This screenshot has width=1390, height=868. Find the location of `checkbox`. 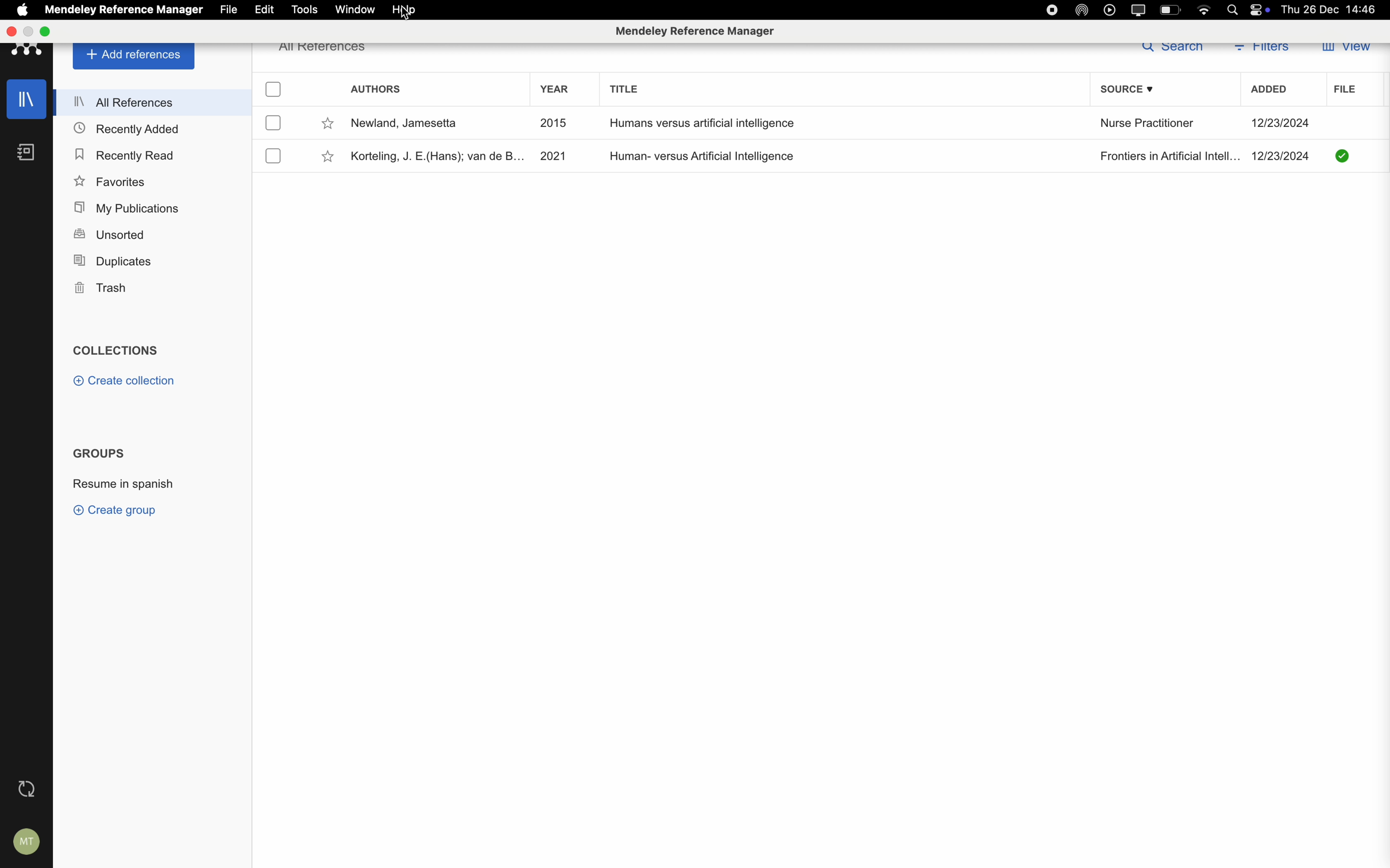

checkbox is located at coordinates (275, 123).